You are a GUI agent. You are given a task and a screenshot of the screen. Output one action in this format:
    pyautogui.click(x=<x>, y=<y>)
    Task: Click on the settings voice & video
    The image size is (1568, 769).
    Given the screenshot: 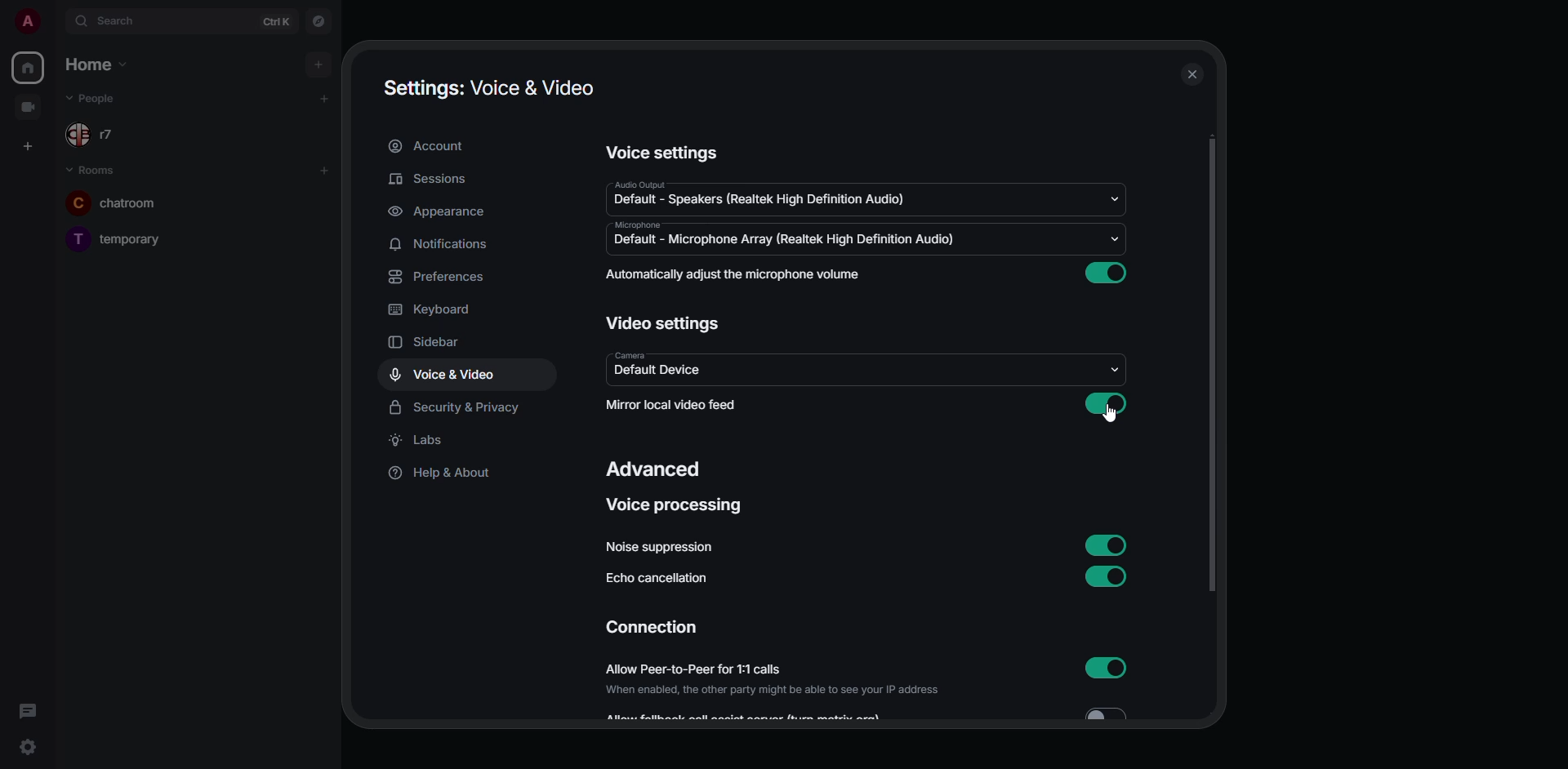 What is the action you would take?
    pyautogui.click(x=488, y=88)
    